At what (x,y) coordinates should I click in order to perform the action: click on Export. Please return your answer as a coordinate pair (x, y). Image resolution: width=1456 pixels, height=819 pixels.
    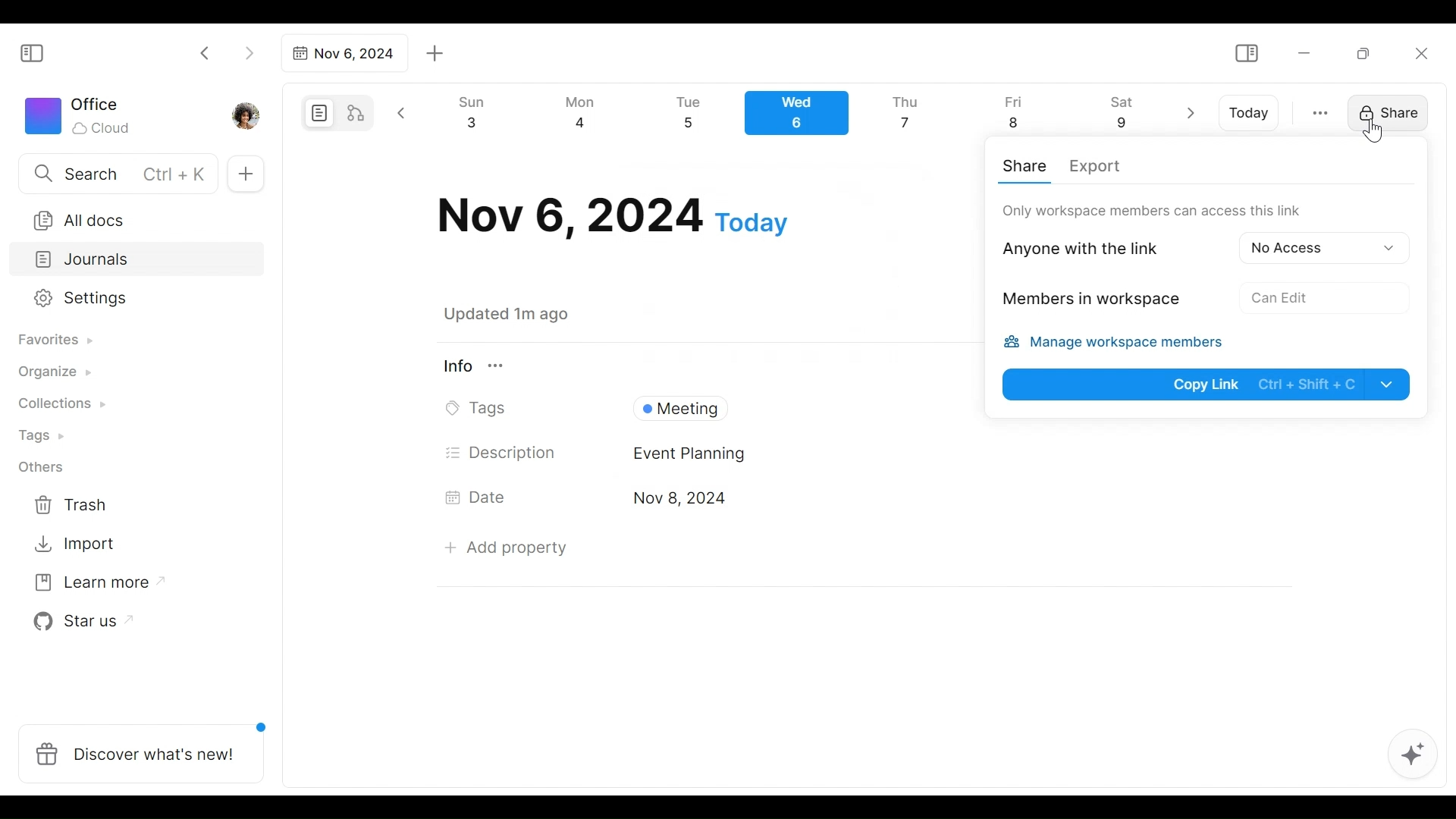
    Looking at the image, I should click on (1094, 168).